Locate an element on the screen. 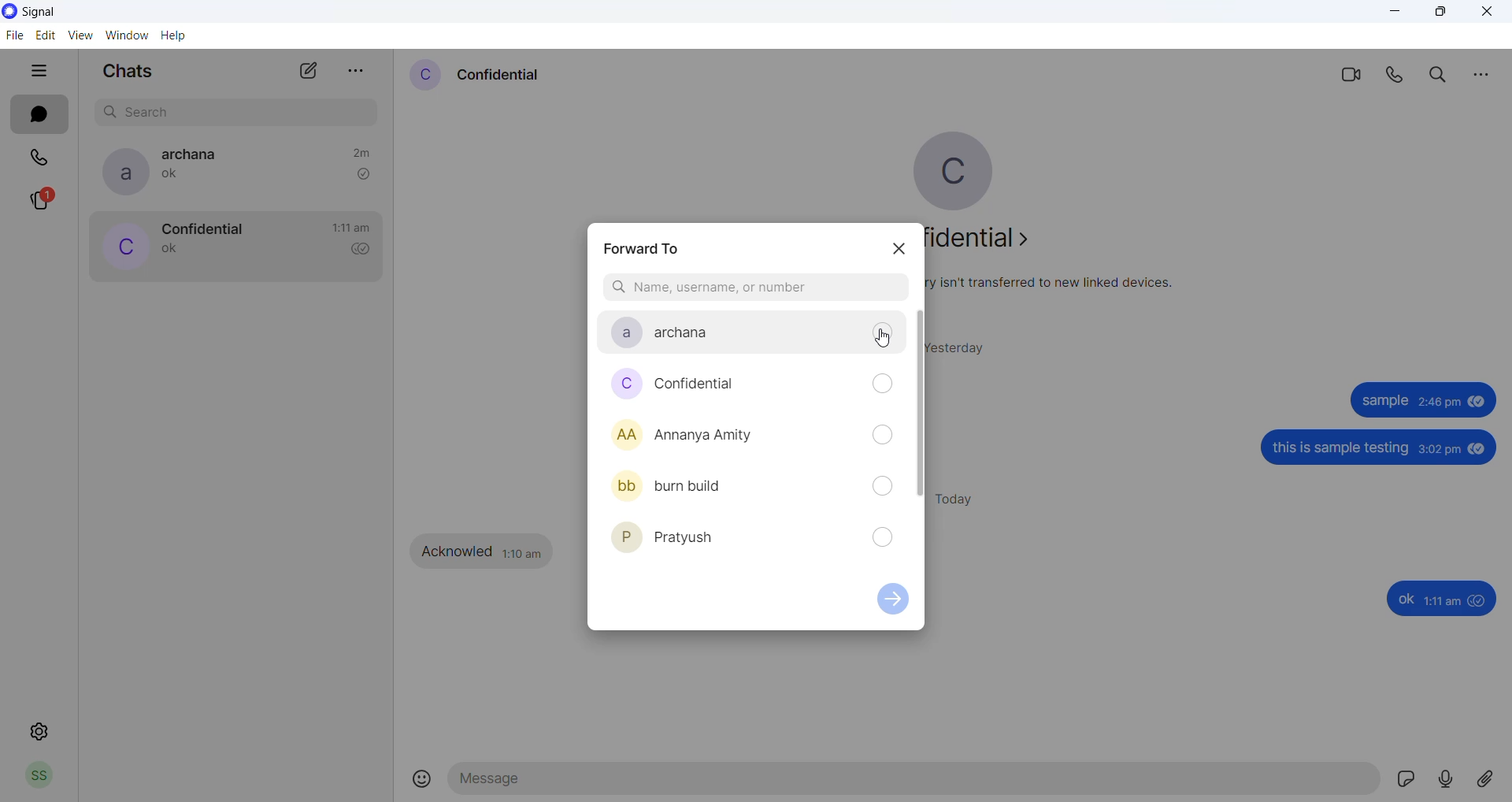  Acknowled is located at coordinates (458, 551).